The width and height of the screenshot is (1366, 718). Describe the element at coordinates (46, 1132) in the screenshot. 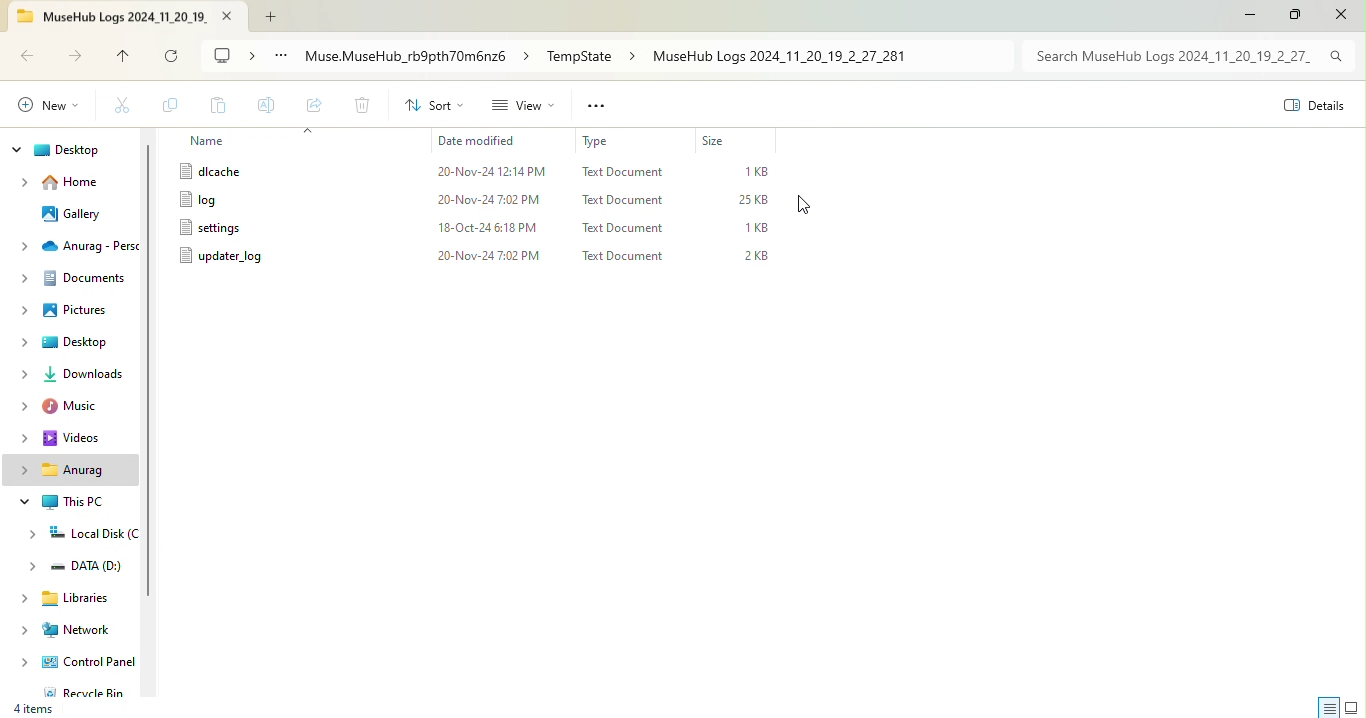

I see `` at that location.